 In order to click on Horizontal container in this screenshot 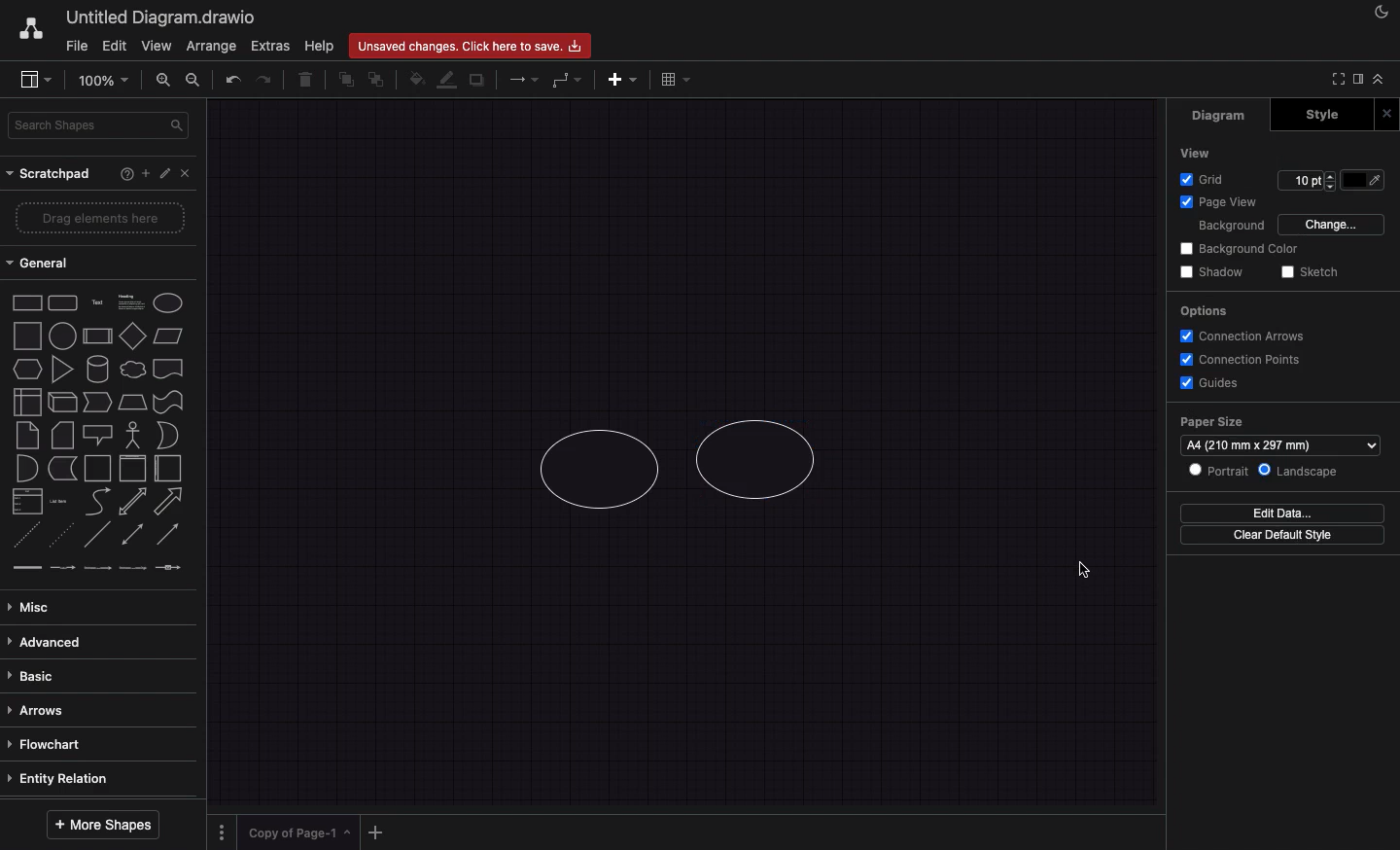, I will do `click(170, 469)`.